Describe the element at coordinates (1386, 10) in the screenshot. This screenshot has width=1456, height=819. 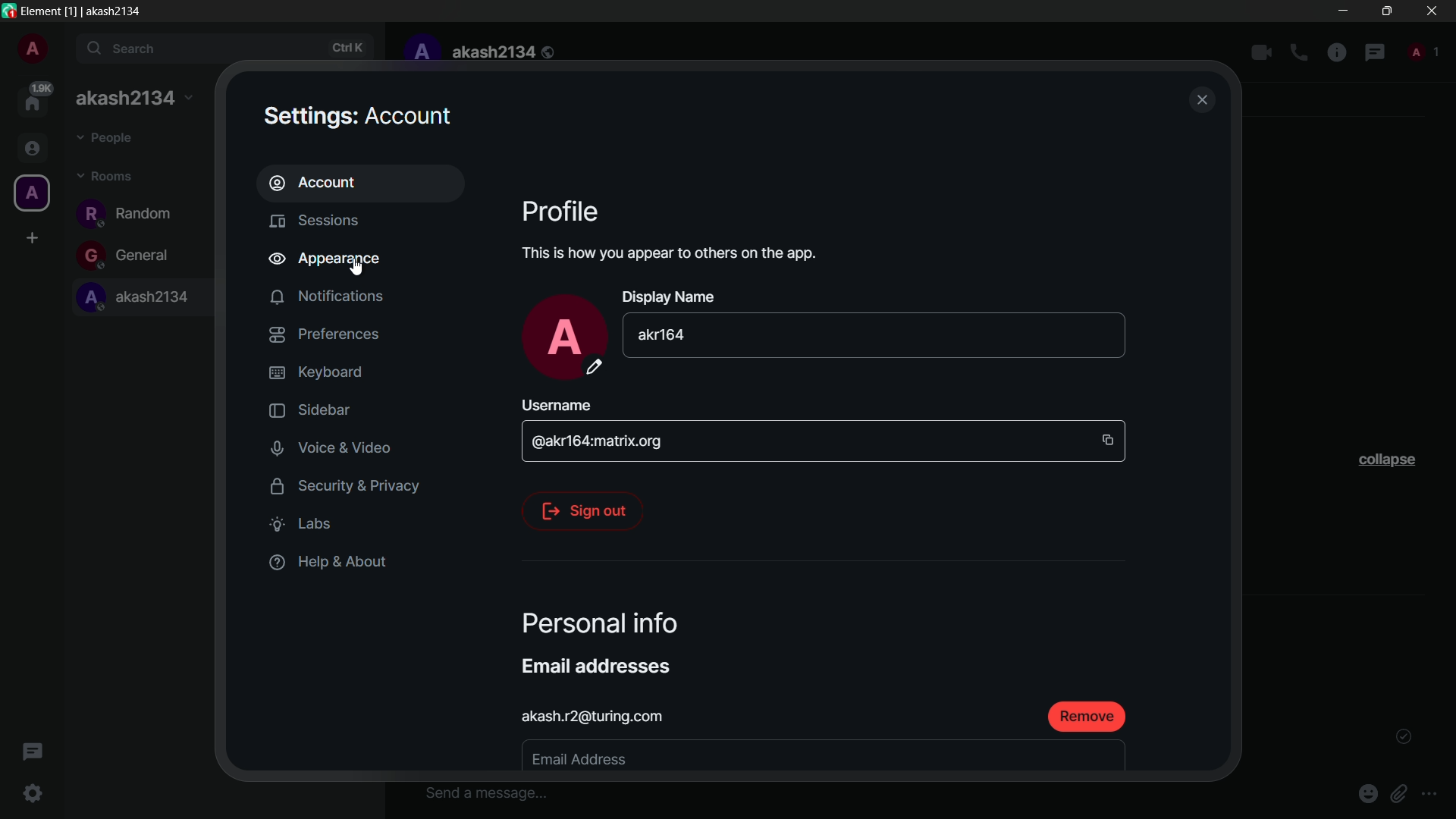
I see `maximize or restore` at that location.